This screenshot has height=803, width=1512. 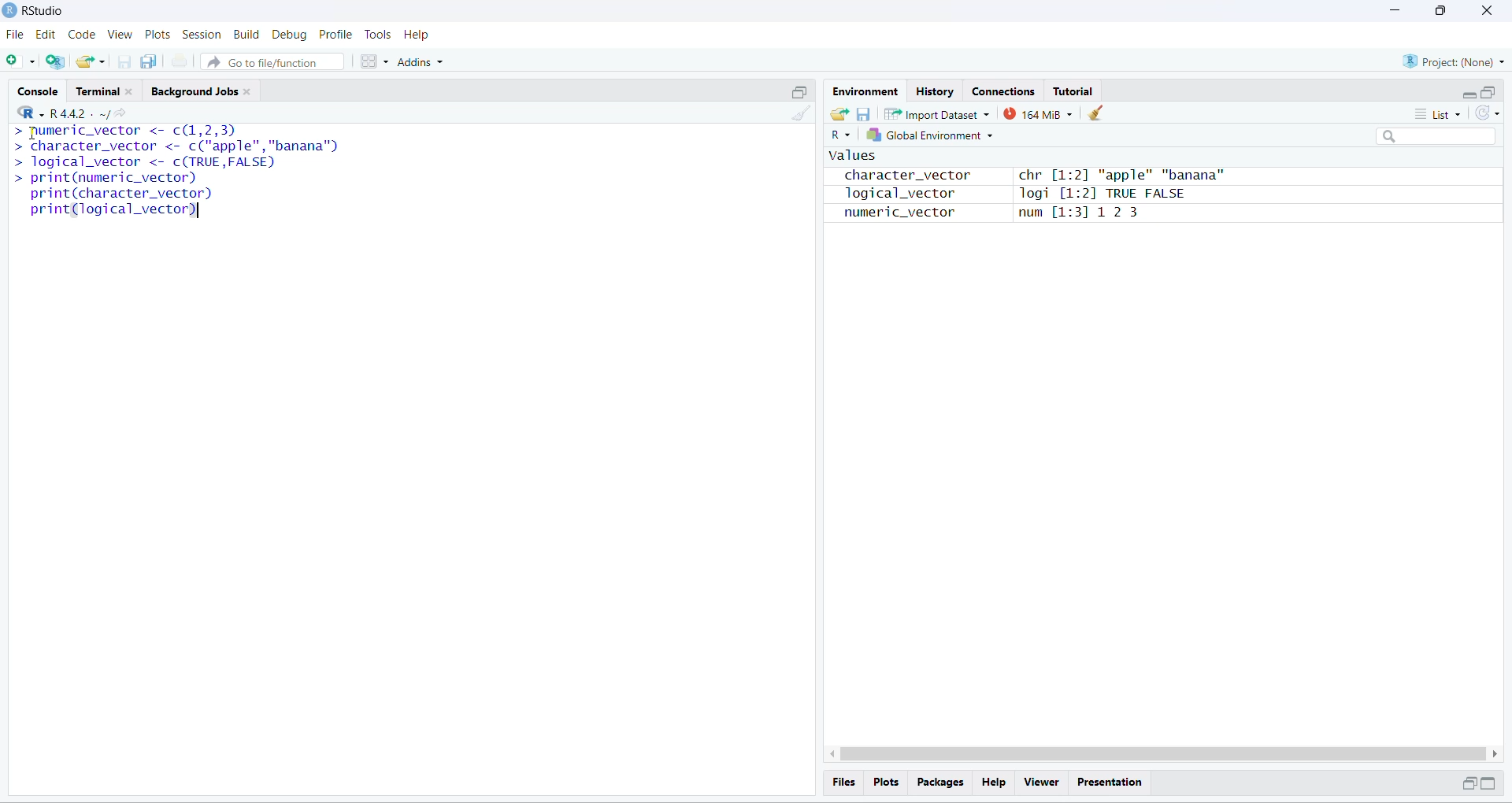 I want to click on Console, so click(x=37, y=89).